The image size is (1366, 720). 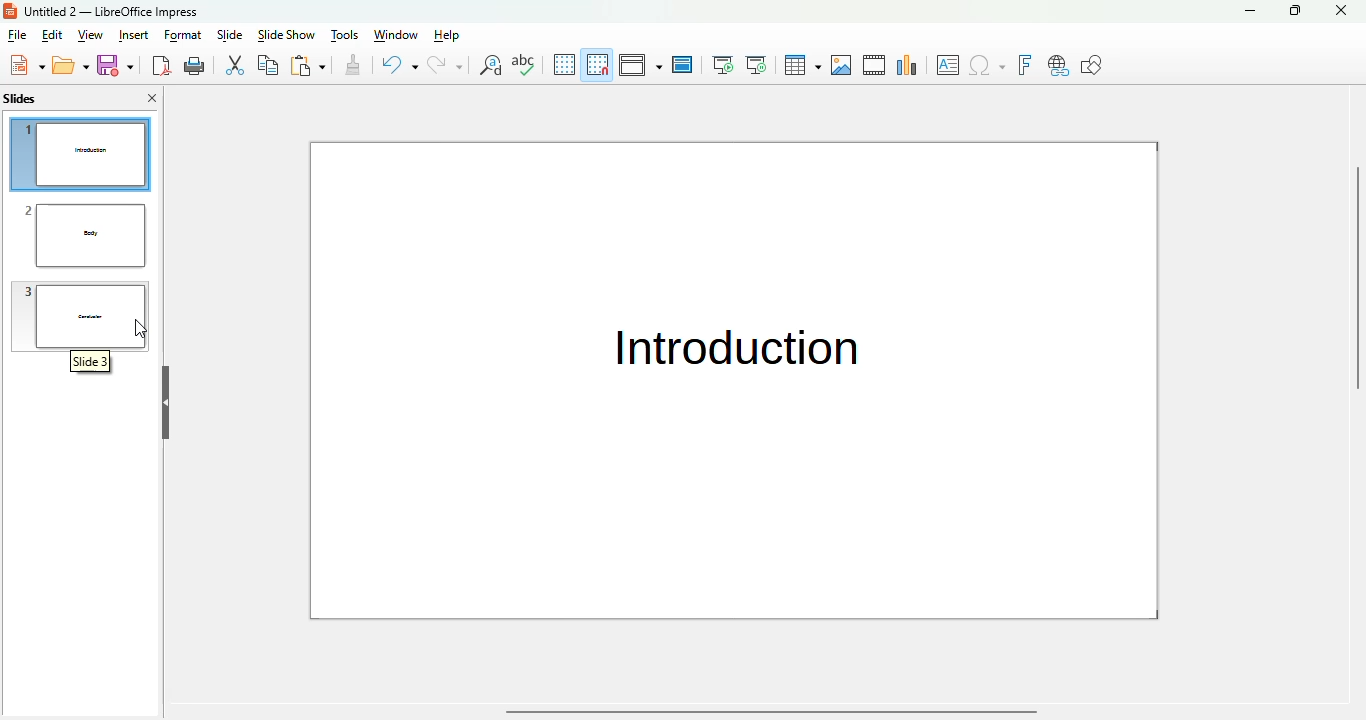 I want to click on slide, so click(x=230, y=35).